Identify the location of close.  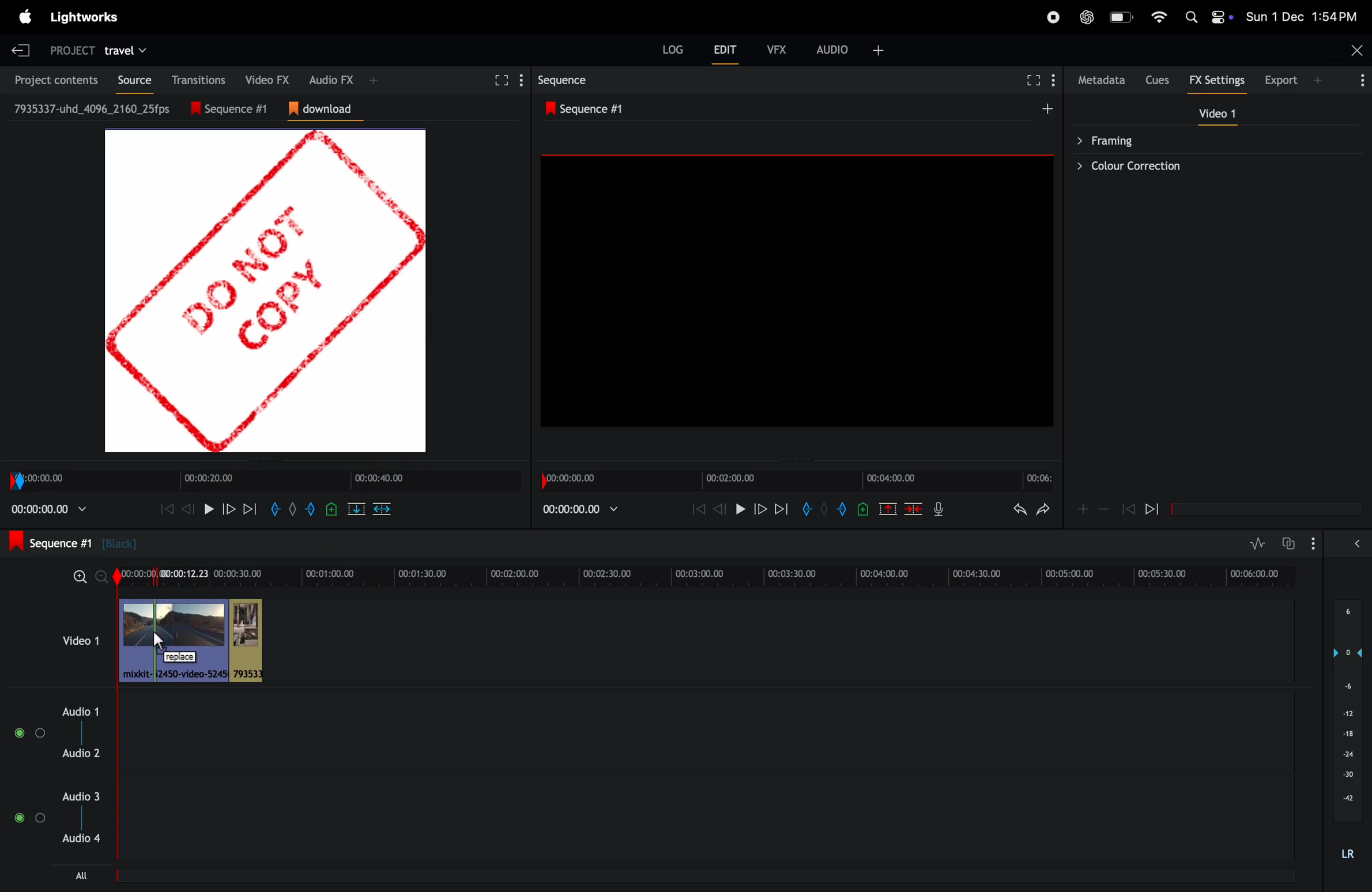
(1358, 50).